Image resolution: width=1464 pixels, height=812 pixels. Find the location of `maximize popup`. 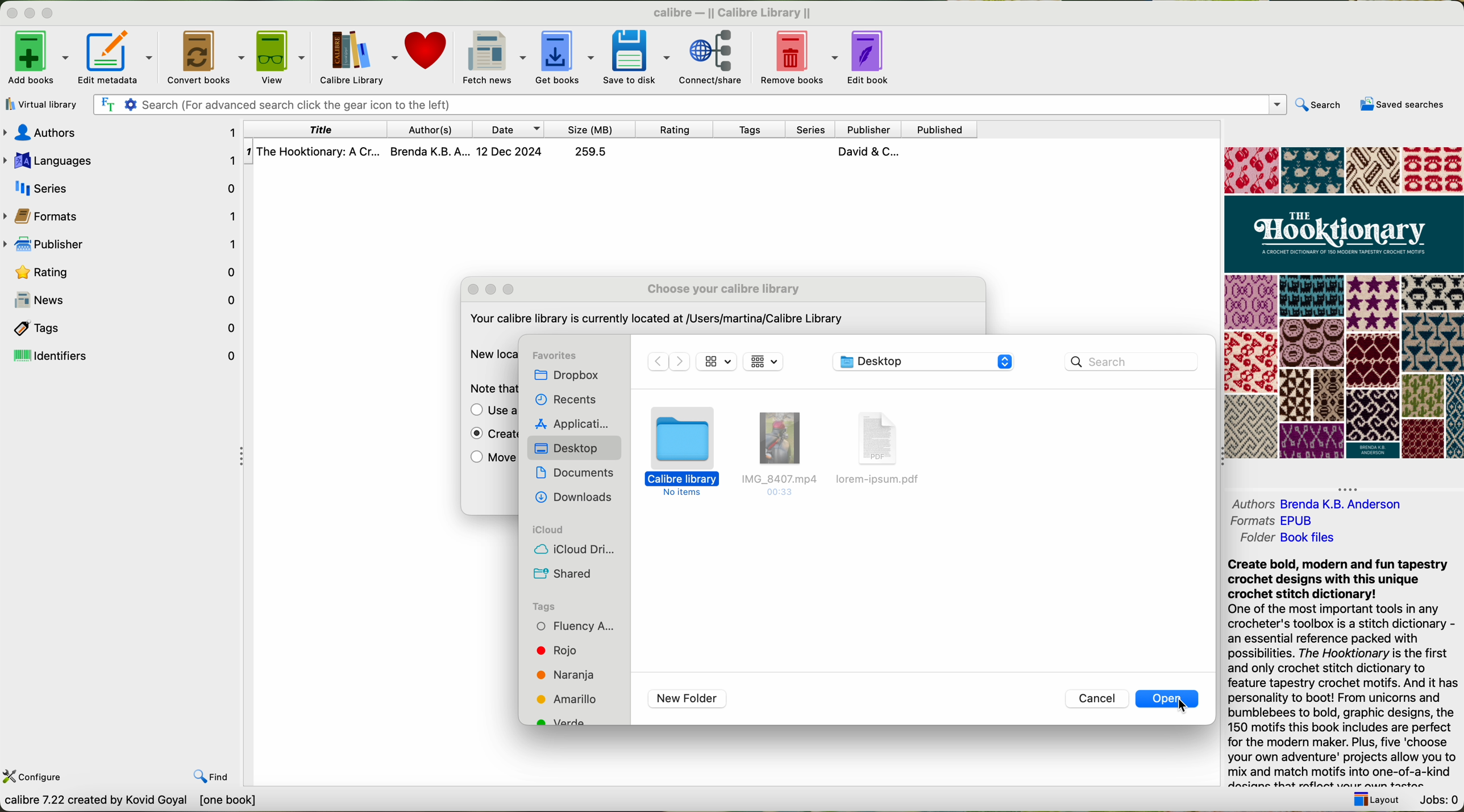

maximize popup is located at coordinates (493, 289).